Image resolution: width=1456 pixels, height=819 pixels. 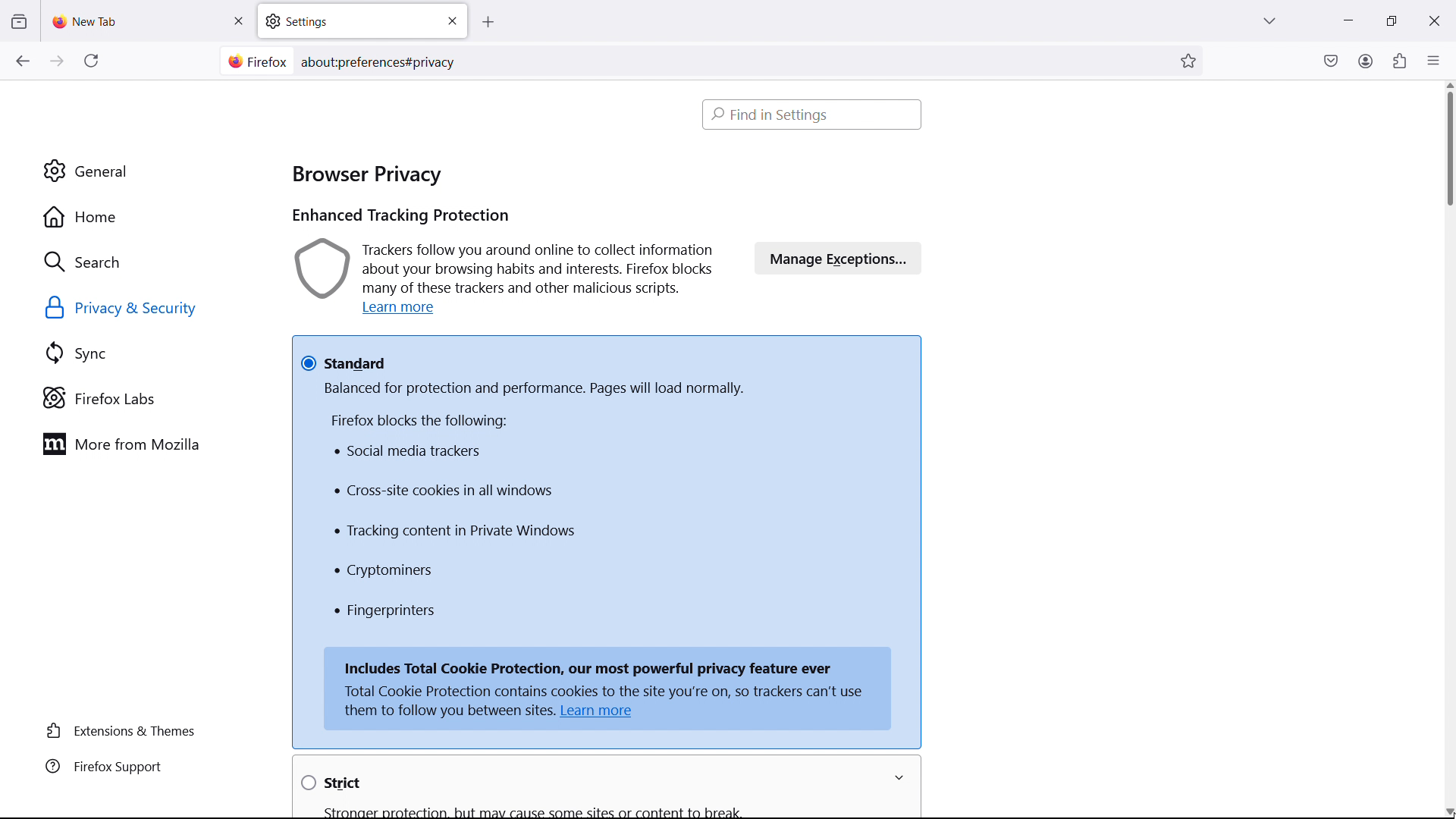 What do you see at coordinates (1433, 18) in the screenshot?
I see `close` at bounding box center [1433, 18].